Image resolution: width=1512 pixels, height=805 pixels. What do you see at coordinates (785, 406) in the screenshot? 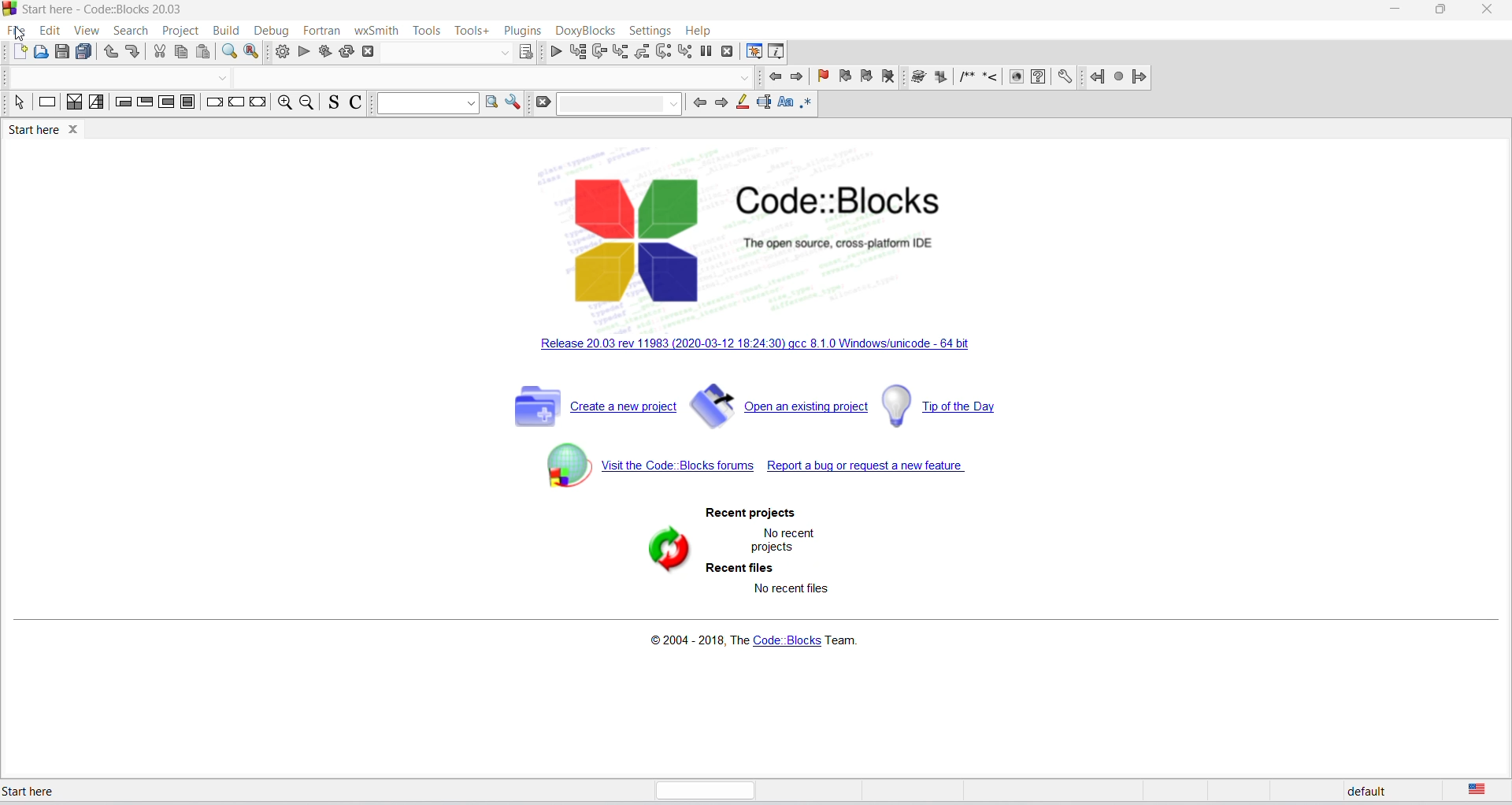
I see `open existing project` at bounding box center [785, 406].